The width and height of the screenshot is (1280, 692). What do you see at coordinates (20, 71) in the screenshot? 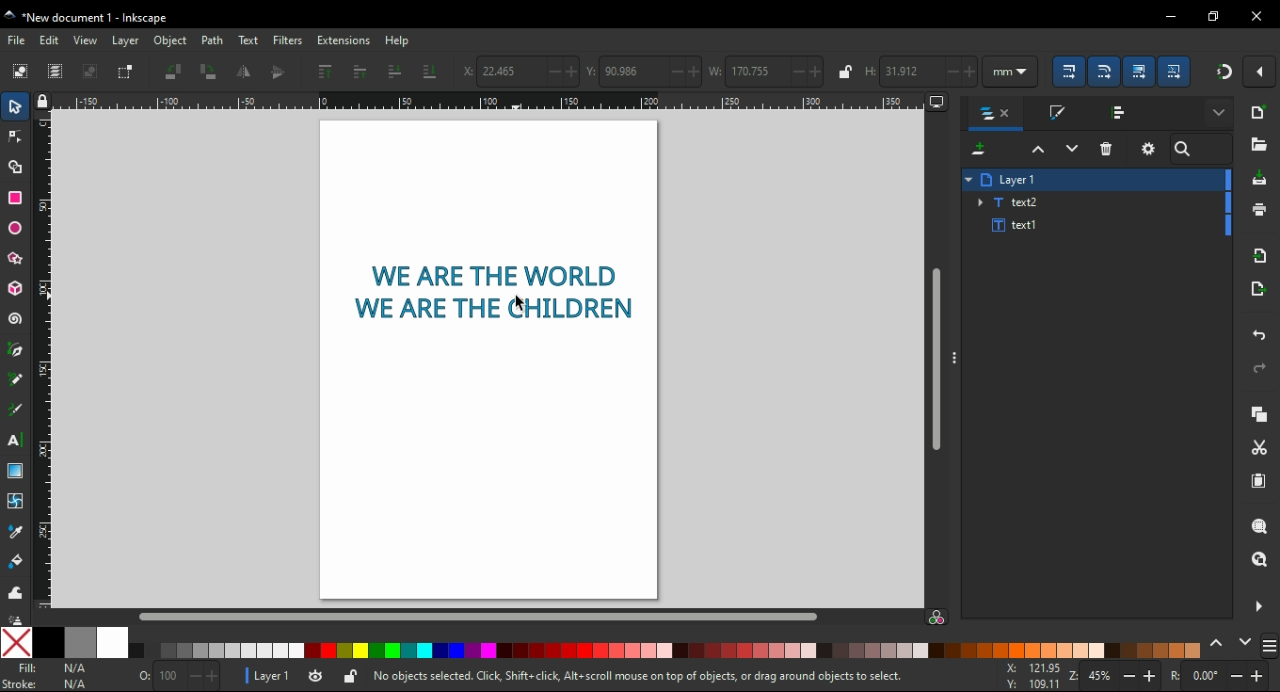
I see `select` at bounding box center [20, 71].